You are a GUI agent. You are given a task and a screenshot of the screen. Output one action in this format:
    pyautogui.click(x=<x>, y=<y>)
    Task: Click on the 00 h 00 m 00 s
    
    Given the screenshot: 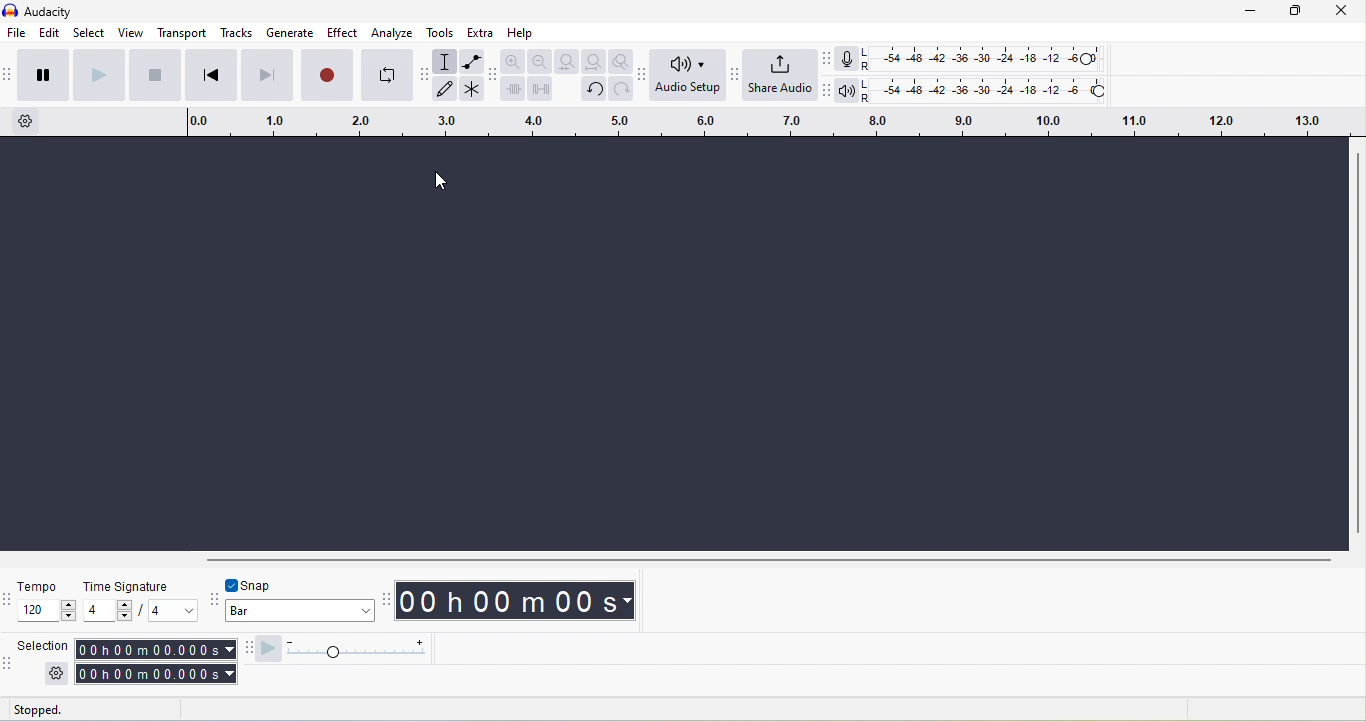 What is the action you would take?
    pyautogui.click(x=156, y=660)
    